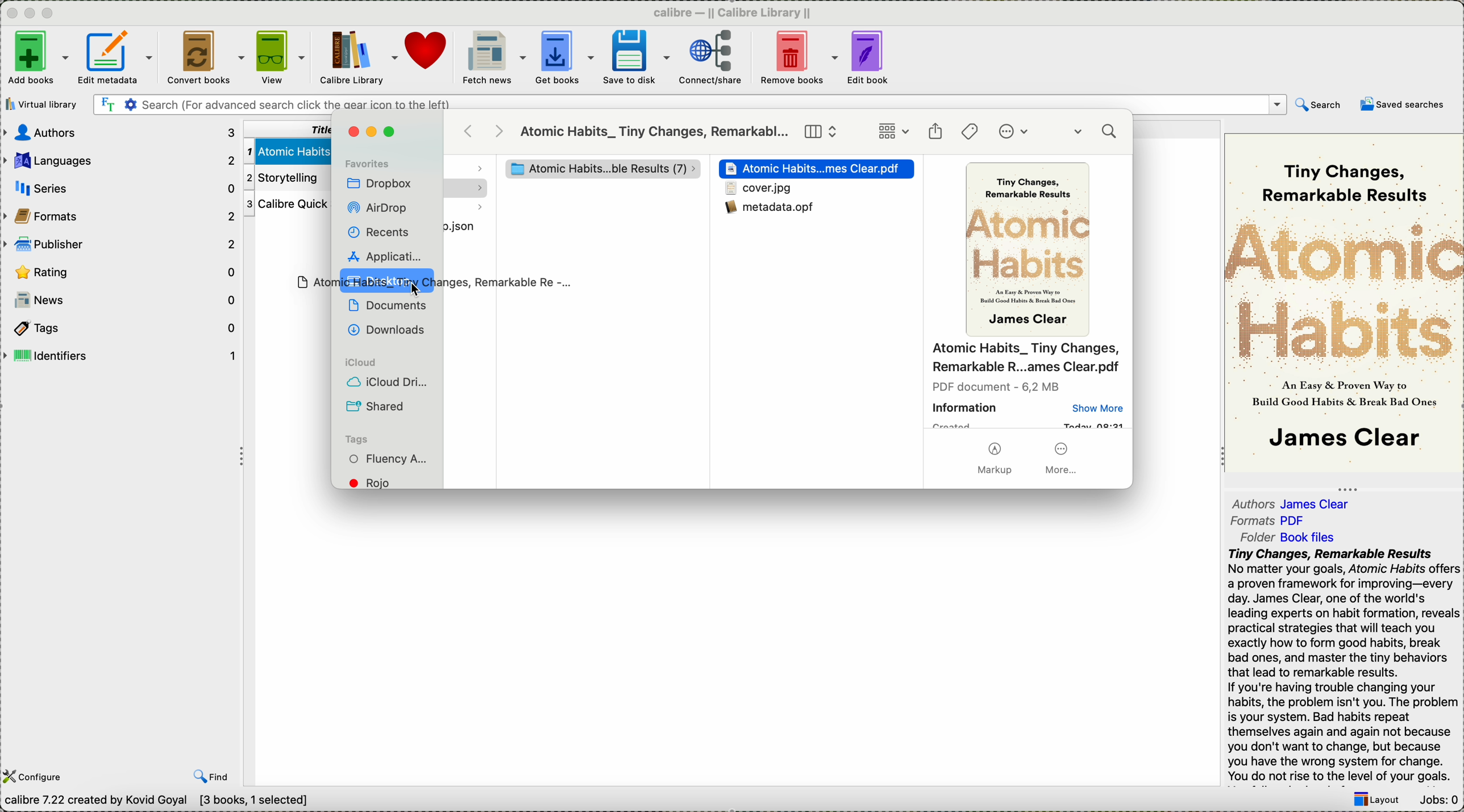 The height and width of the screenshot is (812, 1464). I want to click on edit book, so click(870, 59).